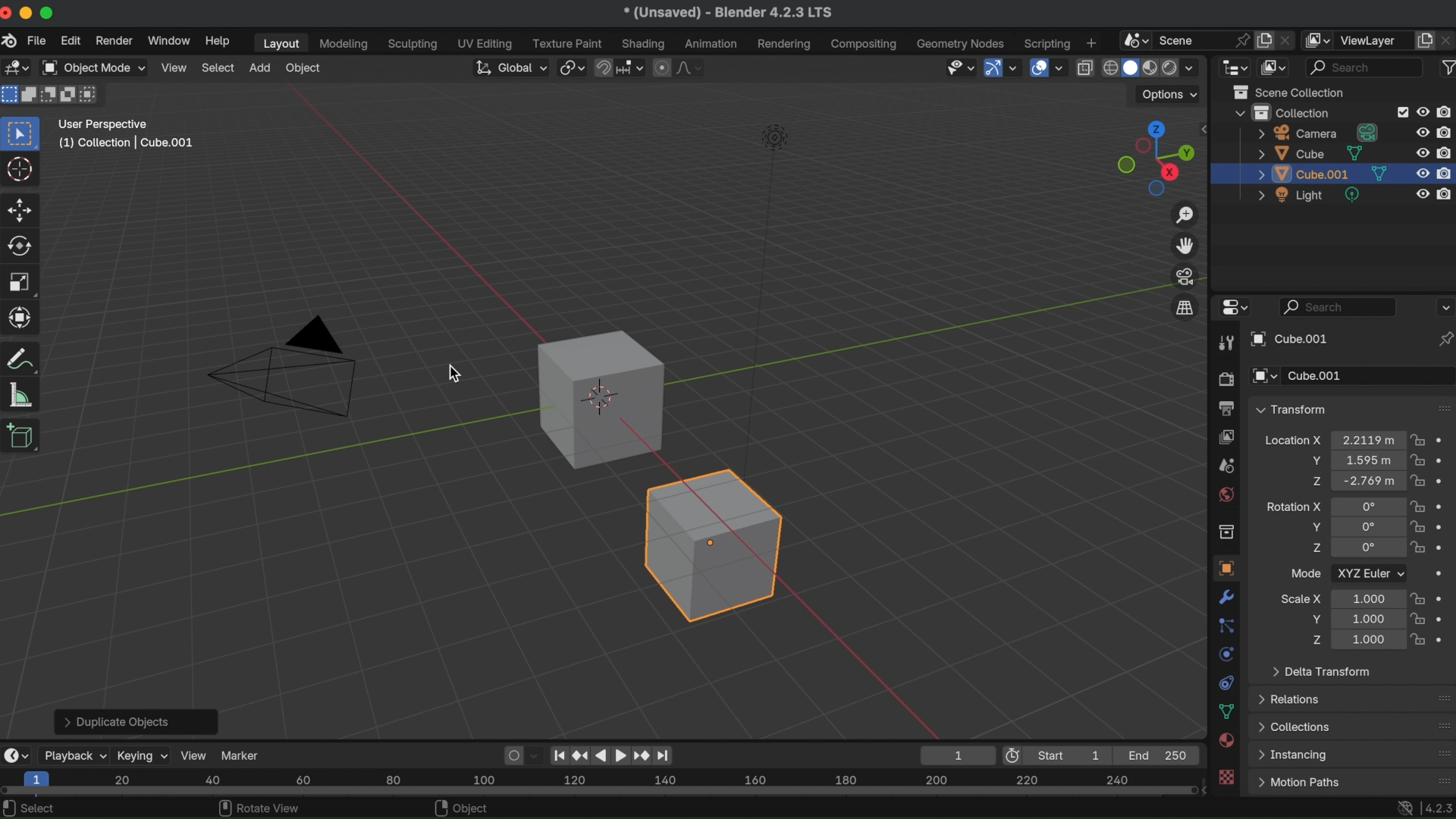 The height and width of the screenshot is (819, 1456). What do you see at coordinates (35, 808) in the screenshot?
I see `select` at bounding box center [35, 808].